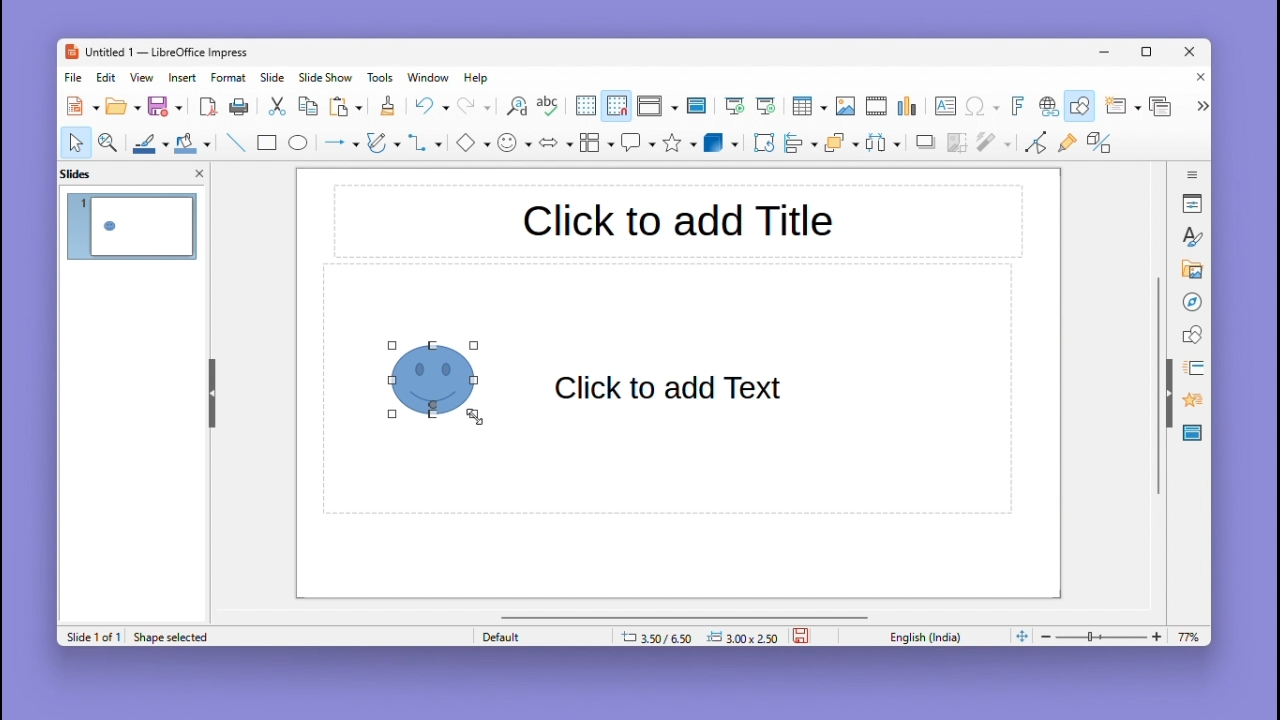 The width and height of the screenshot is (1280, 720). What do you see at coordinates (1194, 203) in the screenshot?
I see `Properties` at bounding box center [1194, 203].